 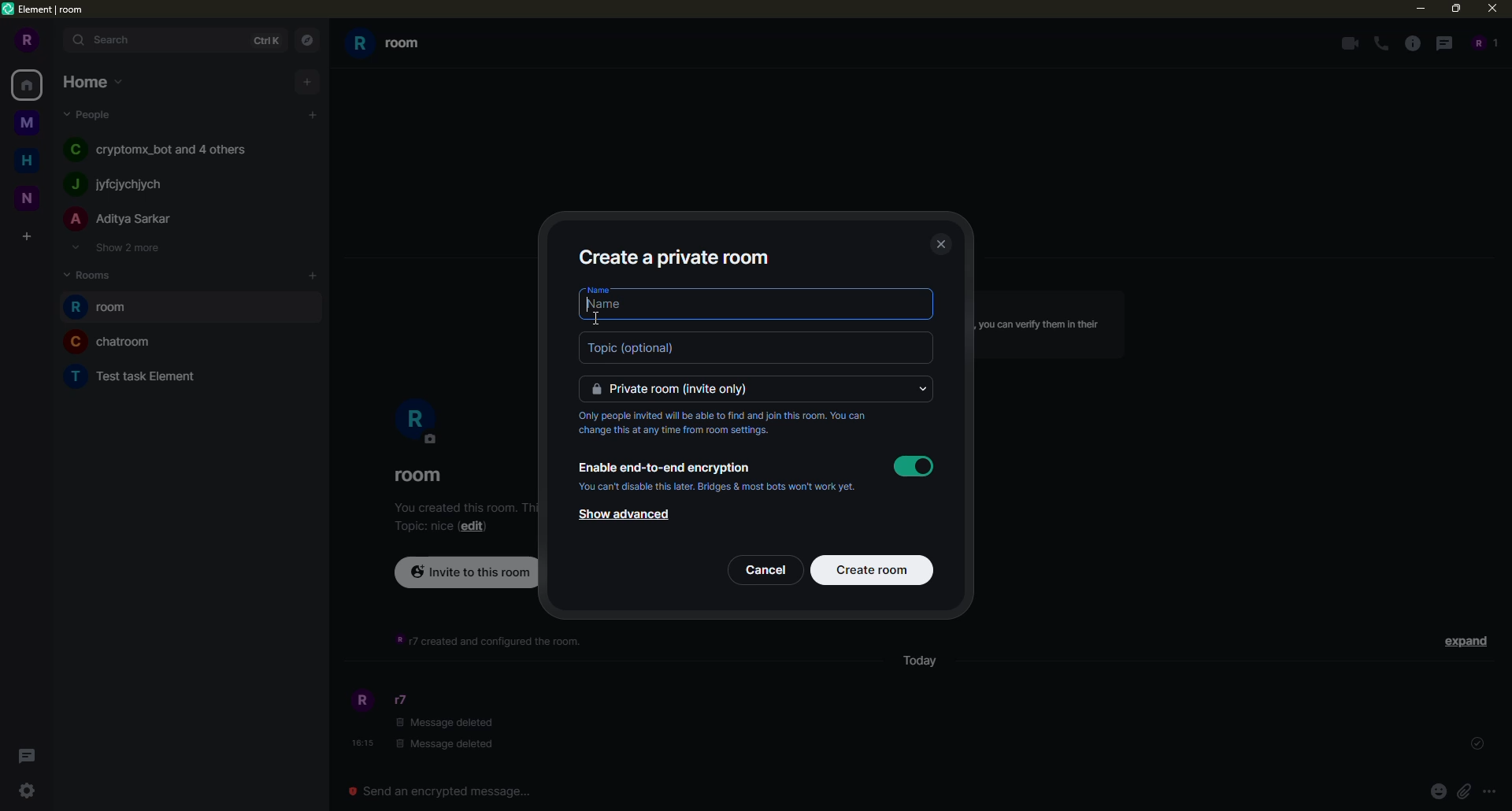 I want to click on search, so click(x=110, y=41).